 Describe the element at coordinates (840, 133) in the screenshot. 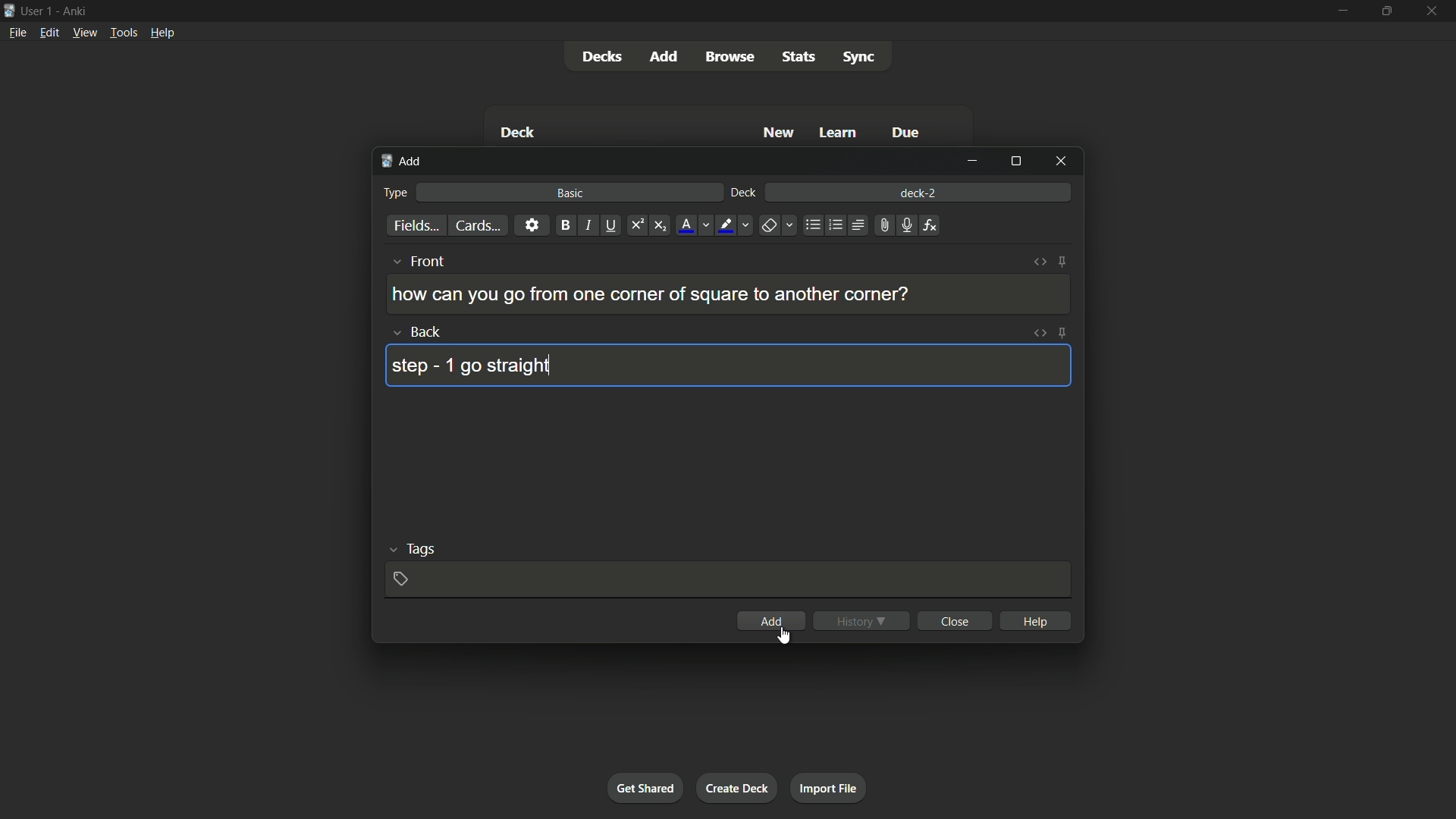

I see `learn` at that location.